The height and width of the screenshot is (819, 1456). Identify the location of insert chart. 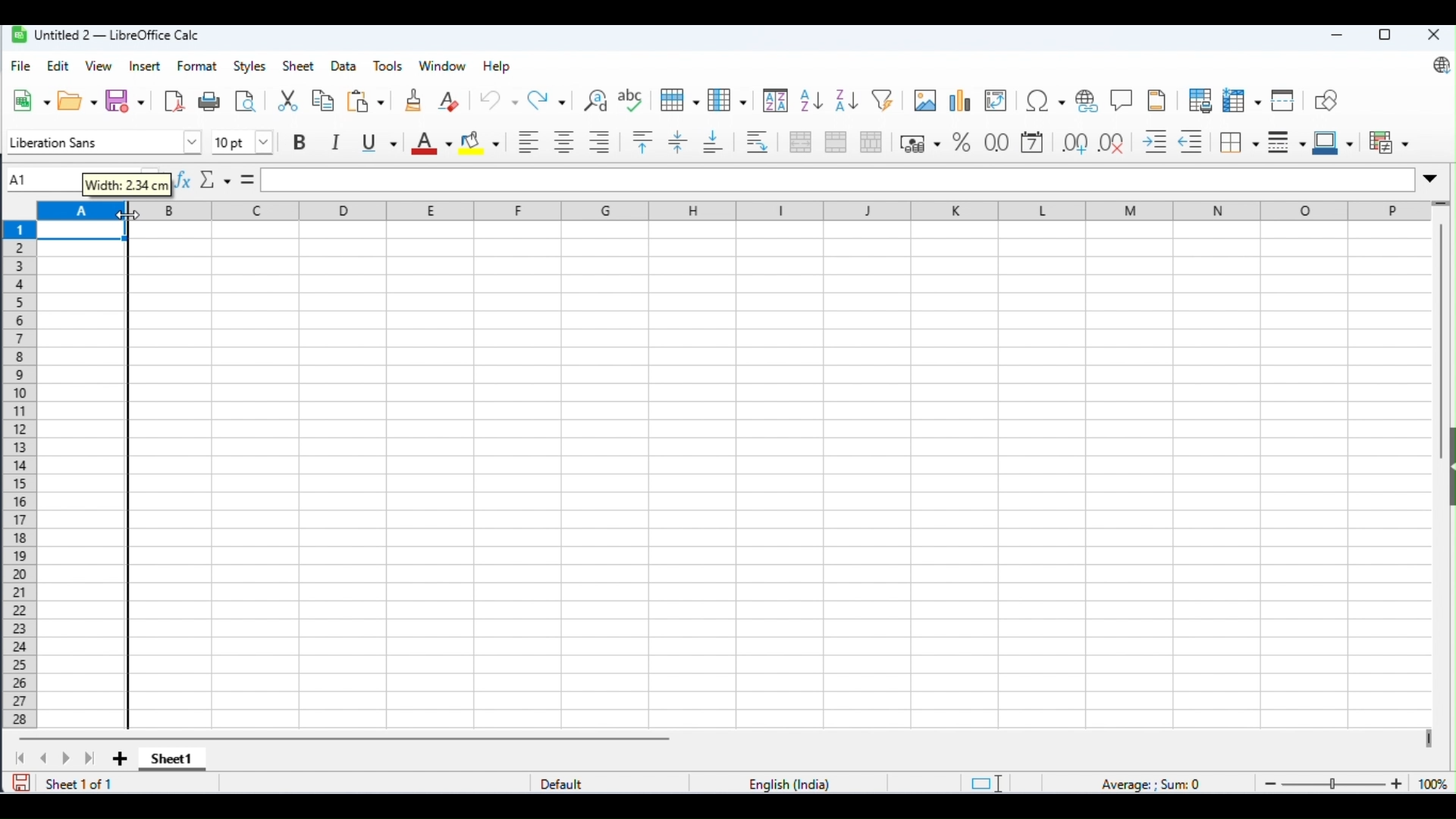
(959, 102).